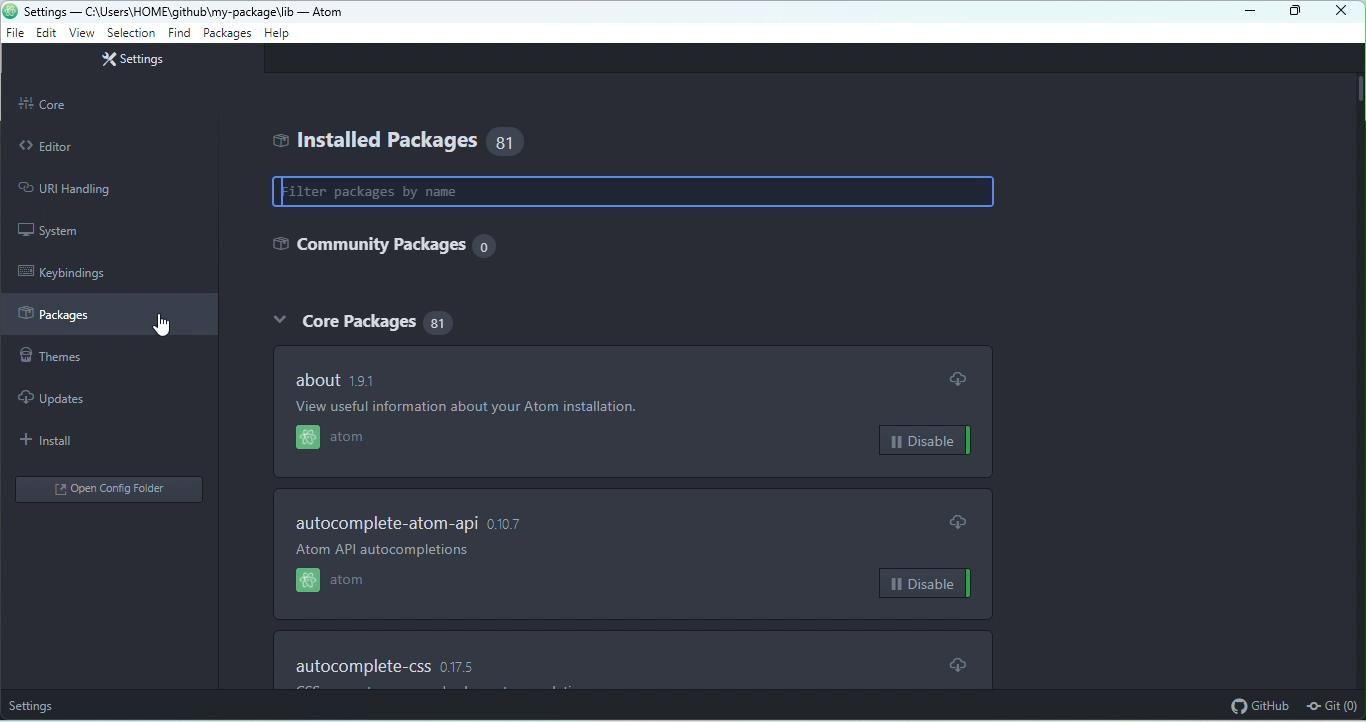 This screenshot has height=722, width=1366. I want to click on core, so click(112, 105).